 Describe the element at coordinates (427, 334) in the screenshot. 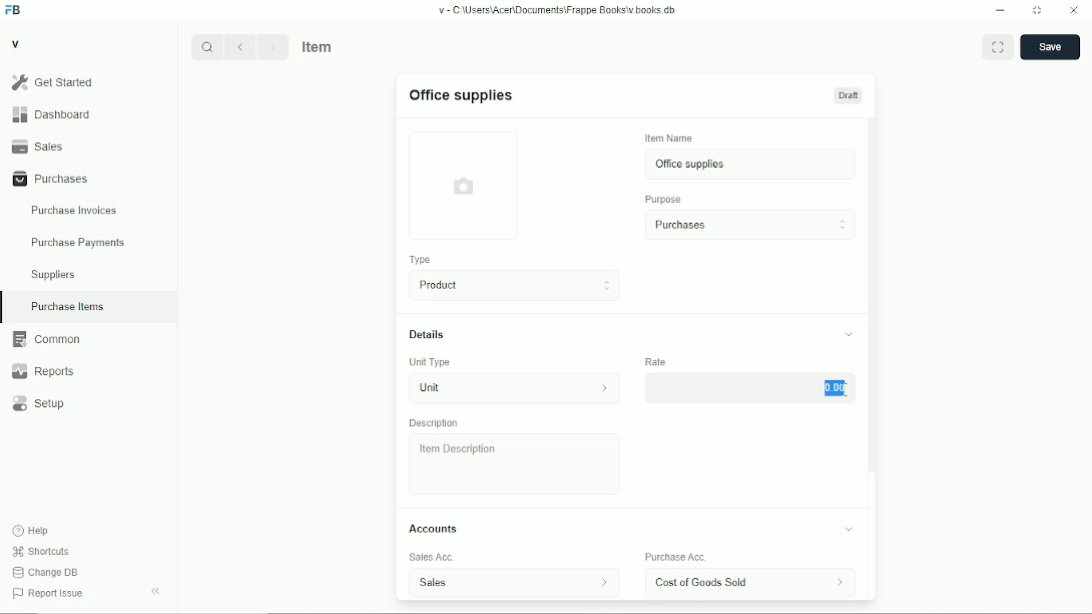

I see `details` at that location.